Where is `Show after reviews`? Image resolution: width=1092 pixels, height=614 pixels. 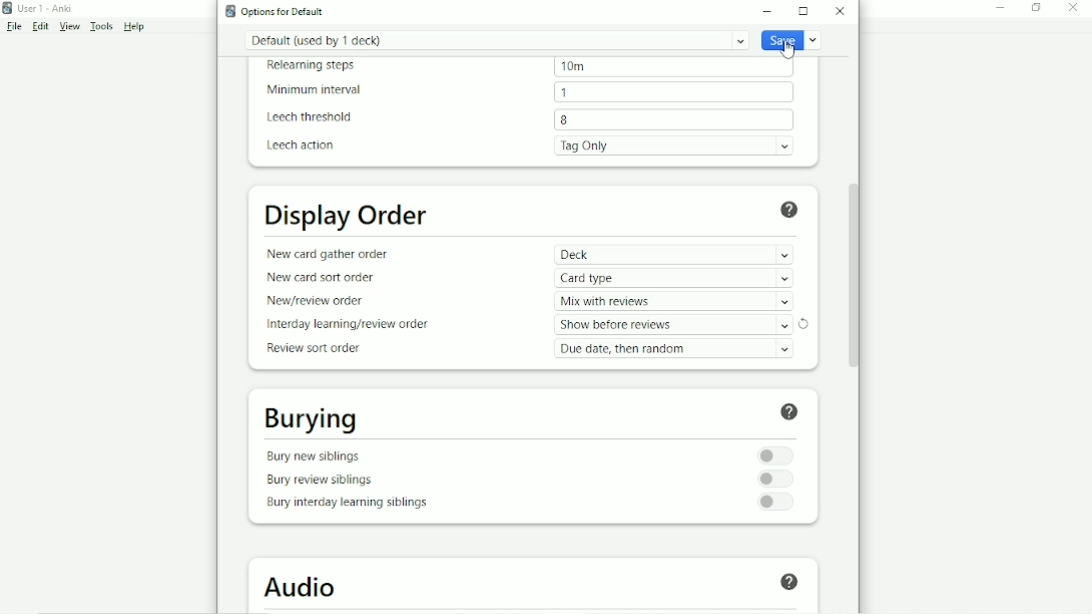 Show after reviews is located at coordinates (674, 325).